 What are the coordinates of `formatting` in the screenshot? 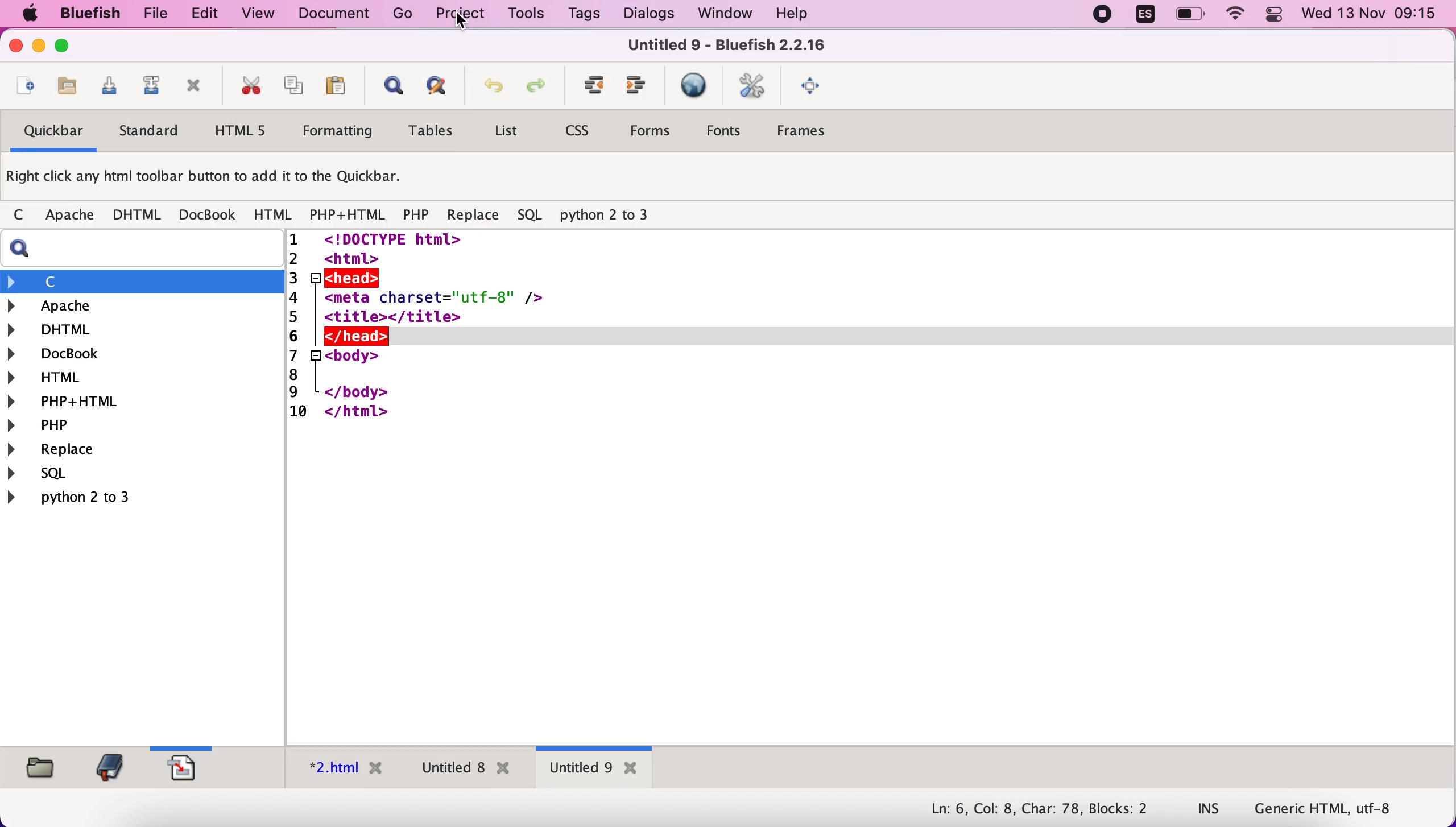 It's located at (340, 133).